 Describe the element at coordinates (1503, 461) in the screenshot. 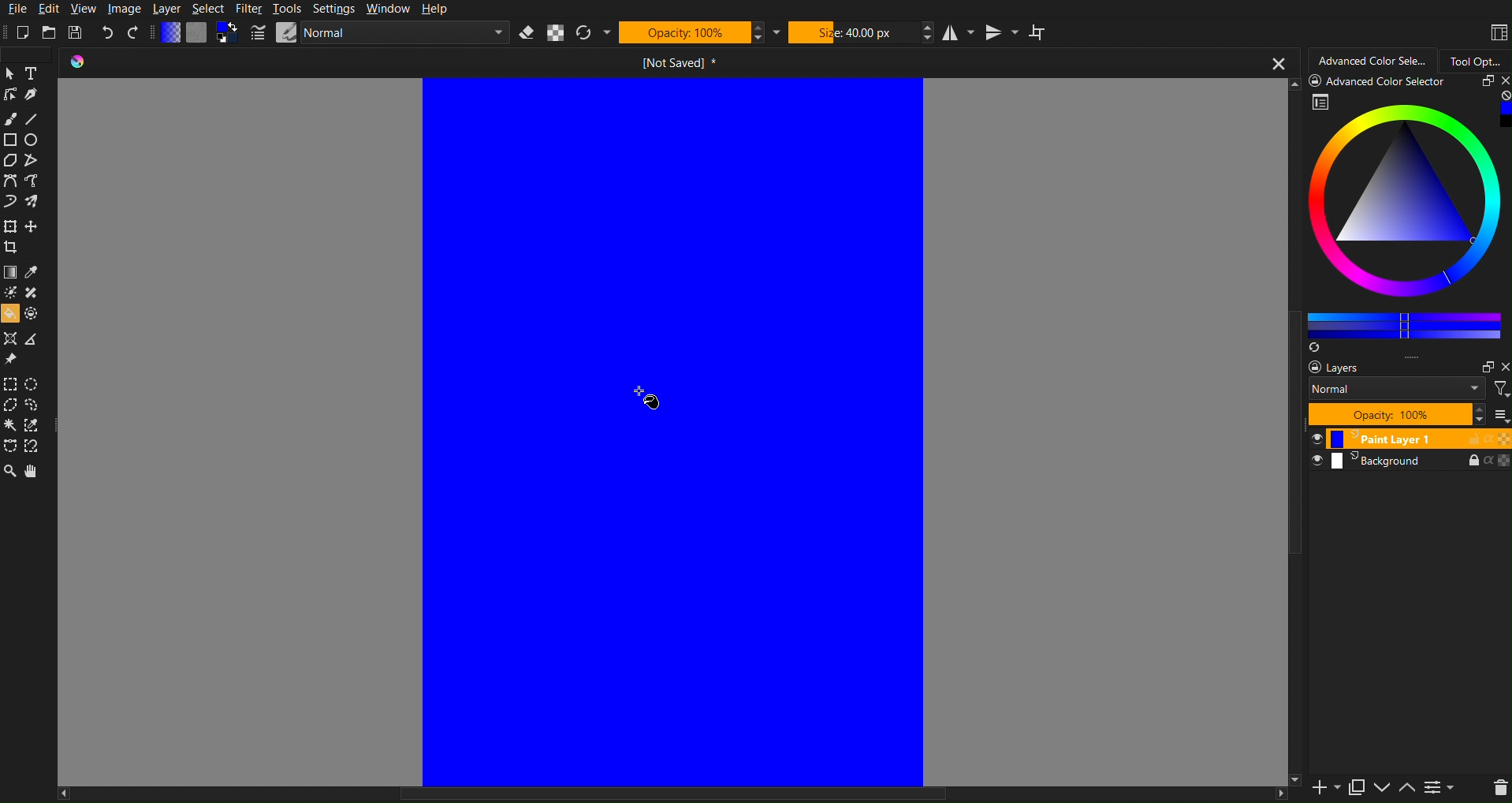

I see `opacity` at that location.